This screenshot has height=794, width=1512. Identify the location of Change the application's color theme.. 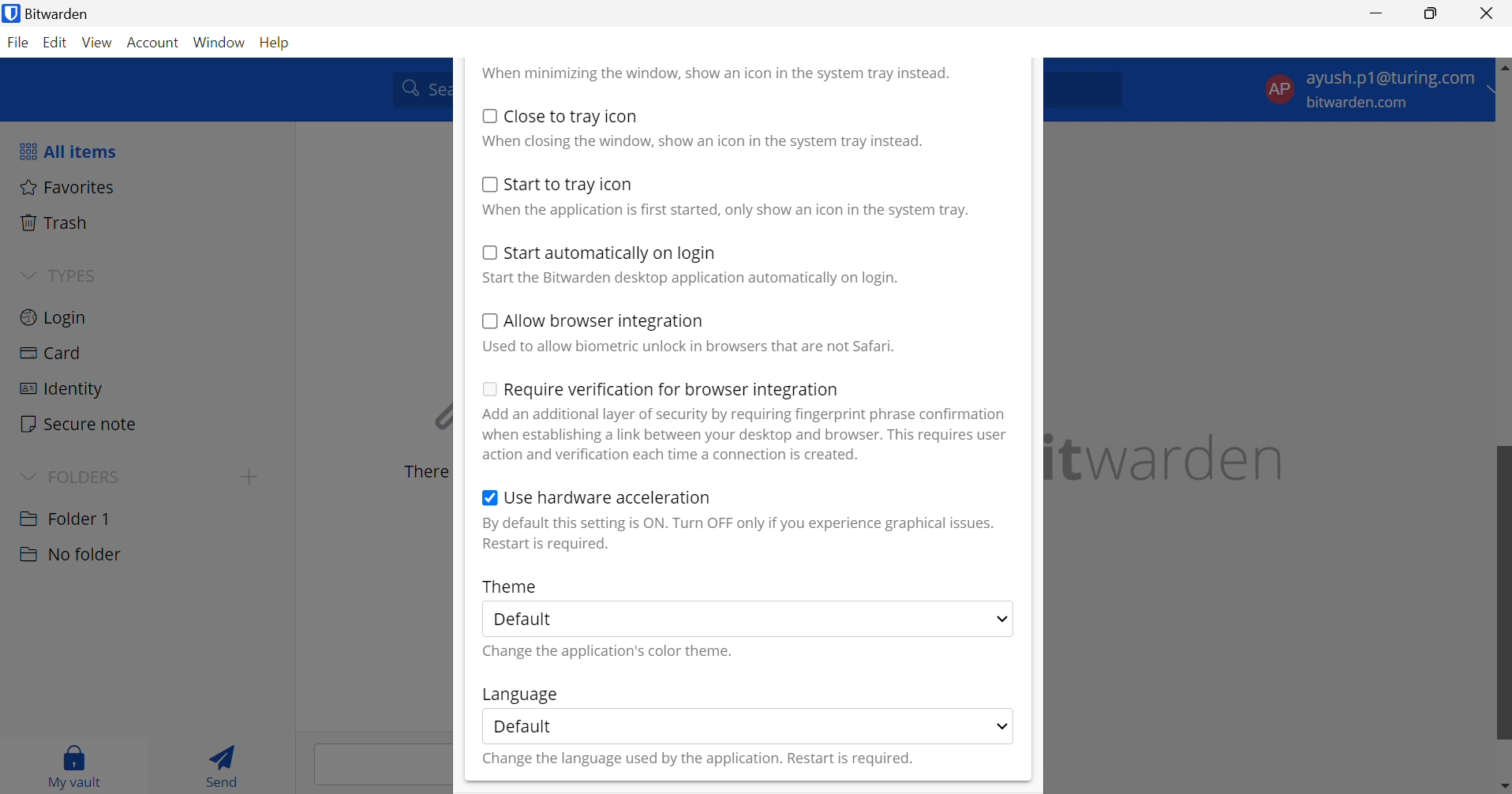
(610, 652).